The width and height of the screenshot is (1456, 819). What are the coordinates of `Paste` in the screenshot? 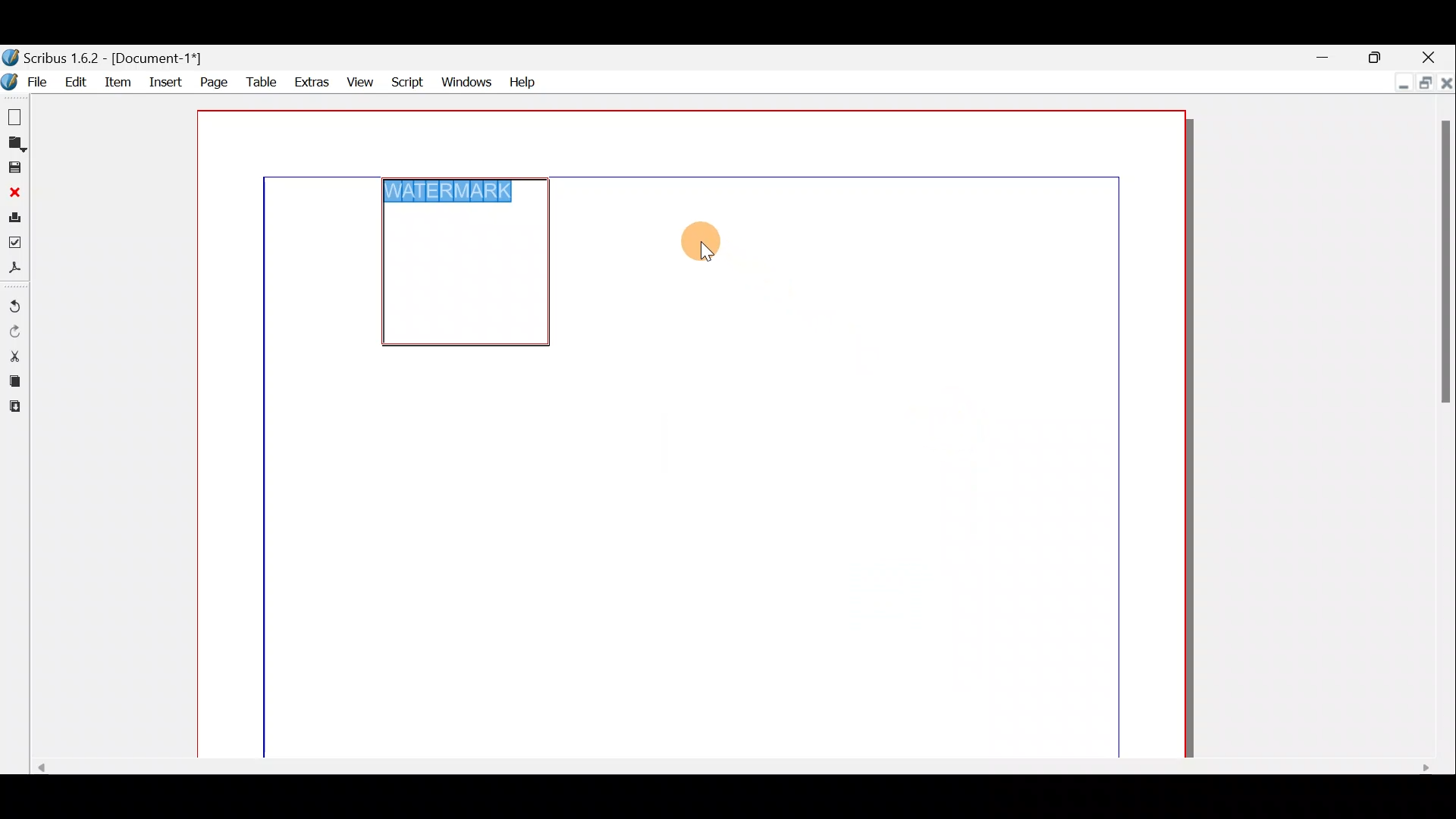 It's located at (13, 409).